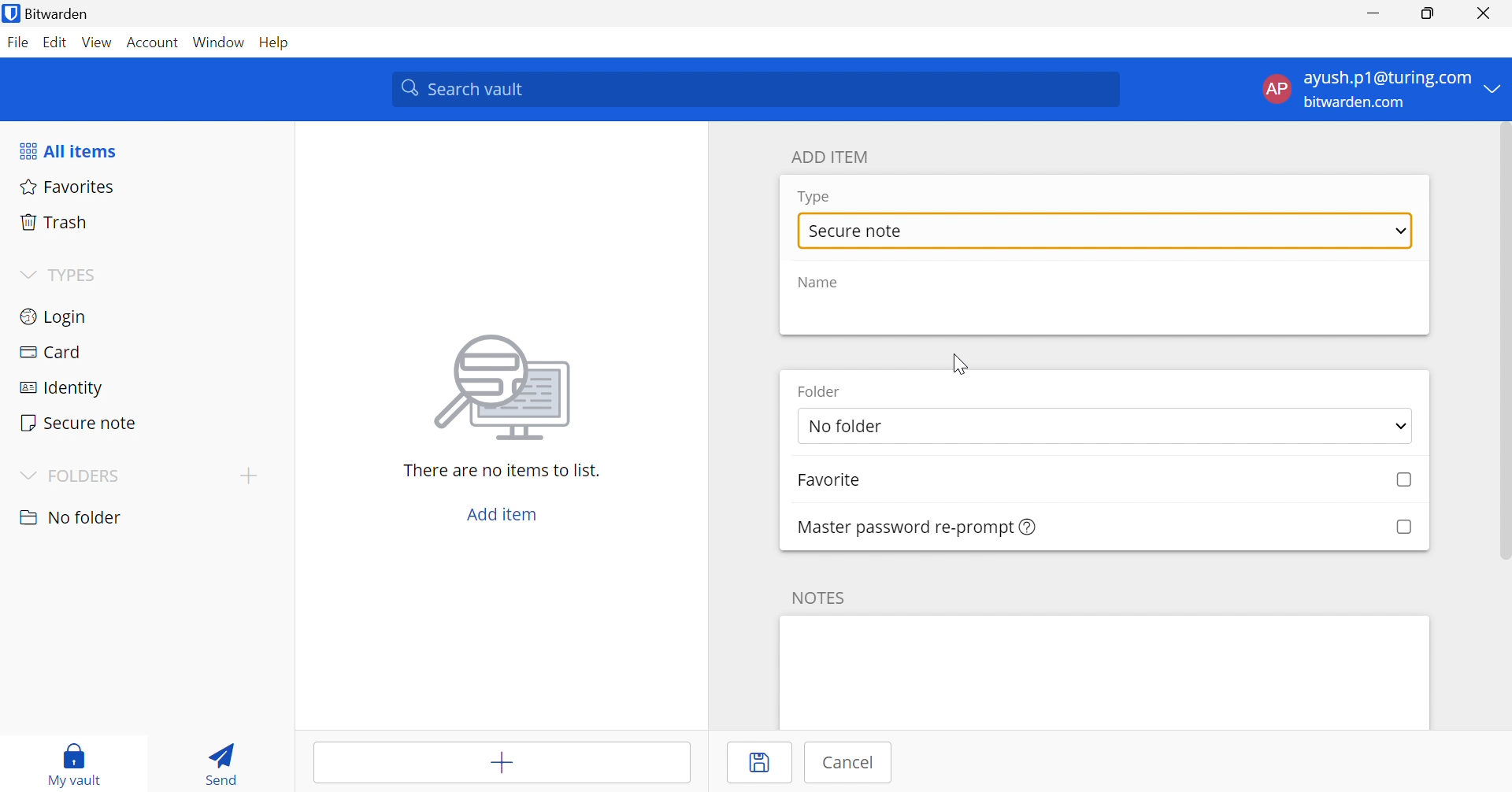 Image resolution: width=1512 pixels, height=792 pixels. I want to click on , so click(824, 281).